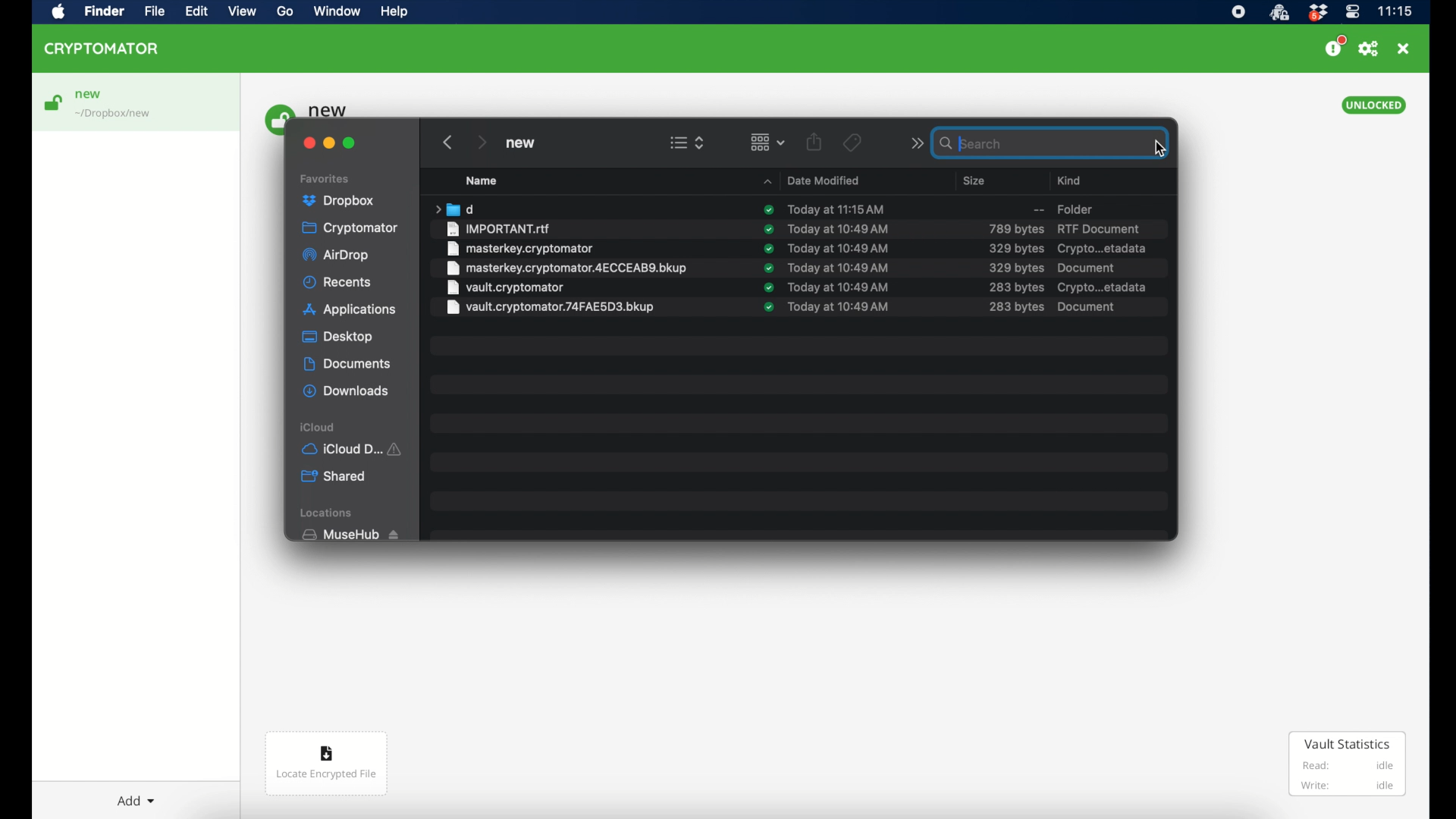 This screenshot has width=1456, height=819. I want to click on sync, so click(768, 307).